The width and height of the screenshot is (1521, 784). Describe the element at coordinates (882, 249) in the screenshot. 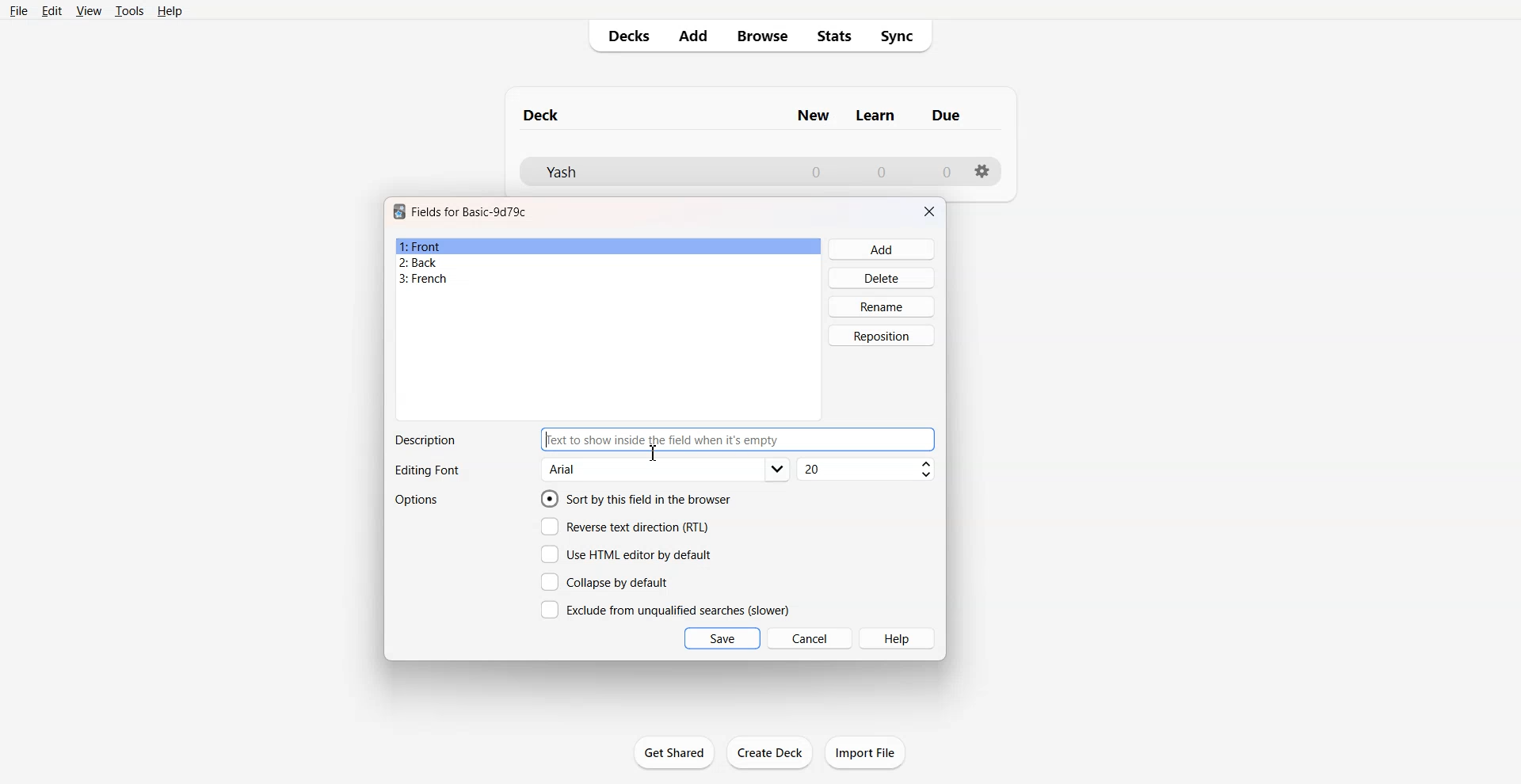

I see `Add` at that location.